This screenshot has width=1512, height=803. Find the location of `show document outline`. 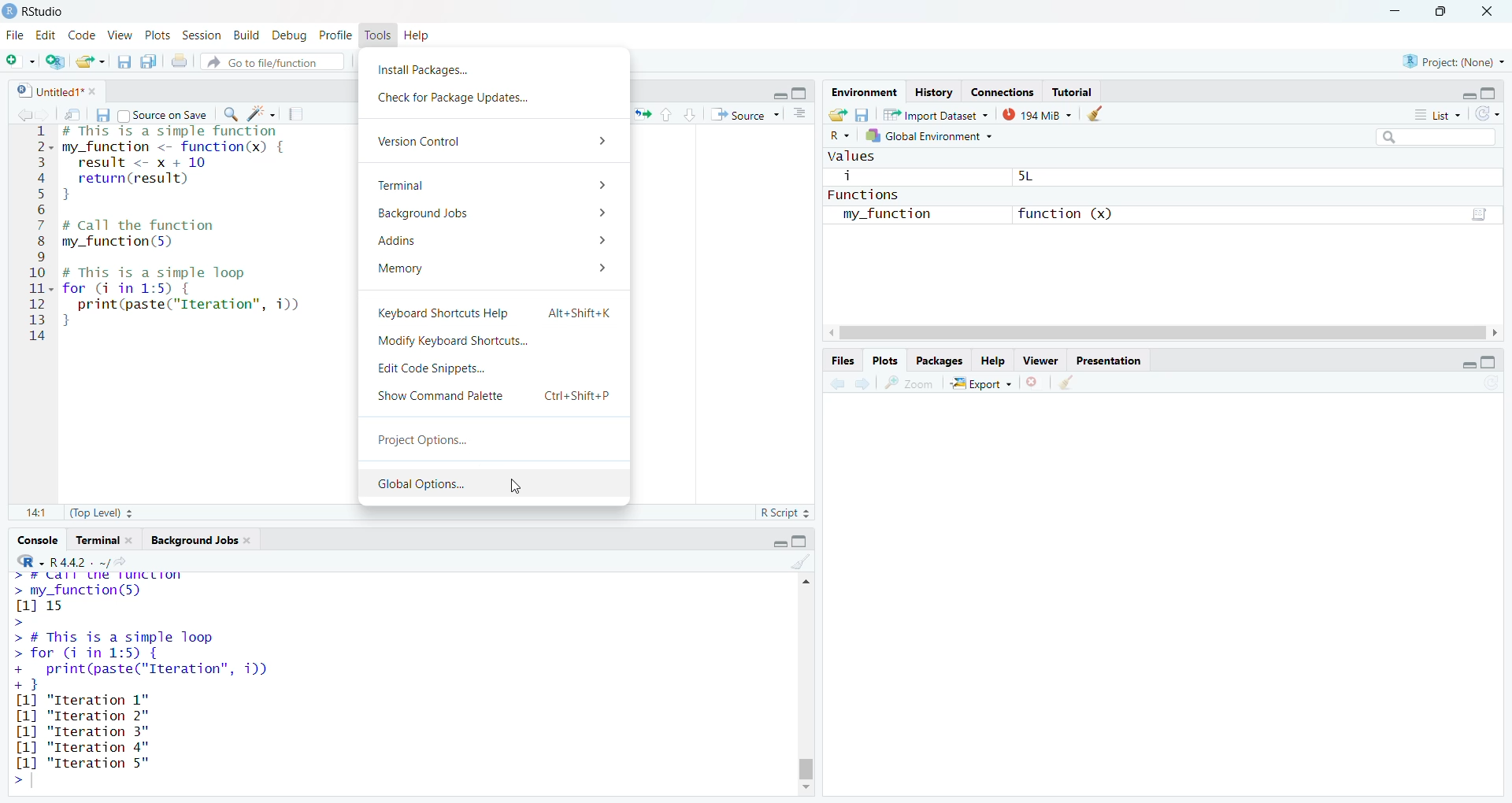

show document outline is located at coordinates (802, 114).